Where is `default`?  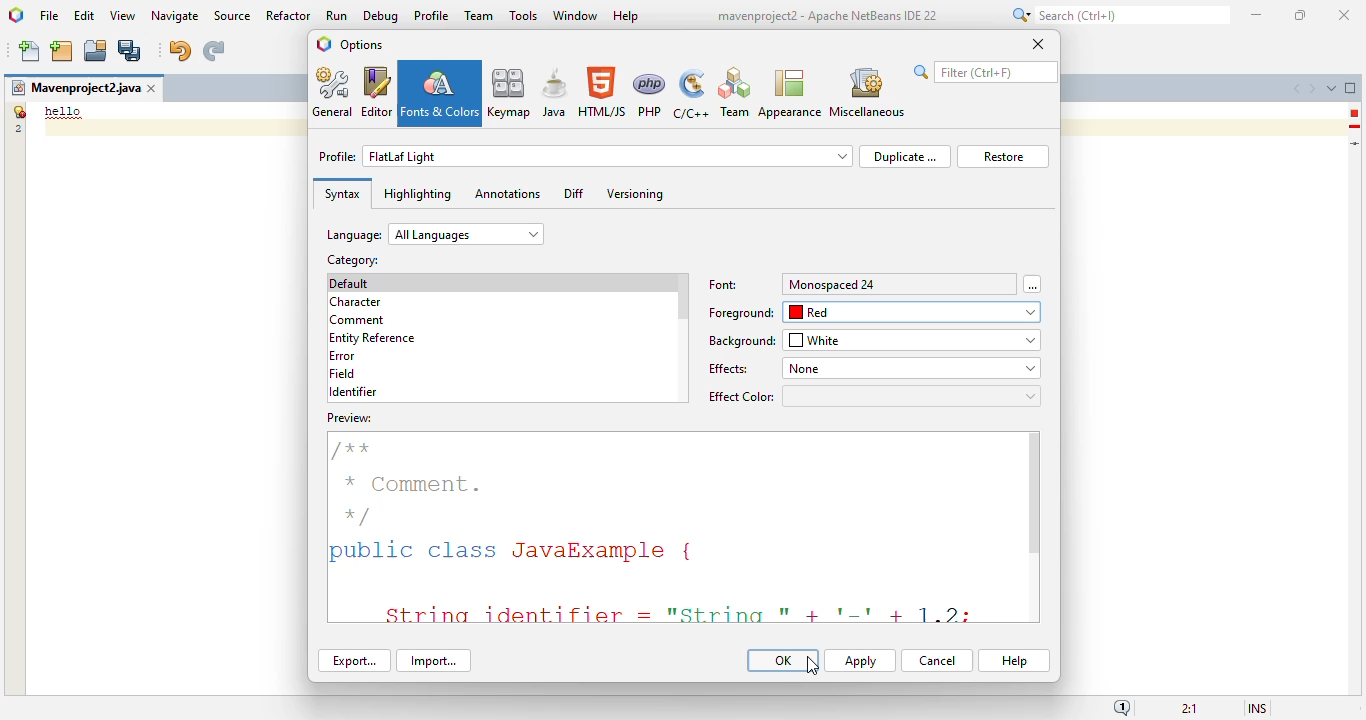
default is located at coordinates (350, 283).